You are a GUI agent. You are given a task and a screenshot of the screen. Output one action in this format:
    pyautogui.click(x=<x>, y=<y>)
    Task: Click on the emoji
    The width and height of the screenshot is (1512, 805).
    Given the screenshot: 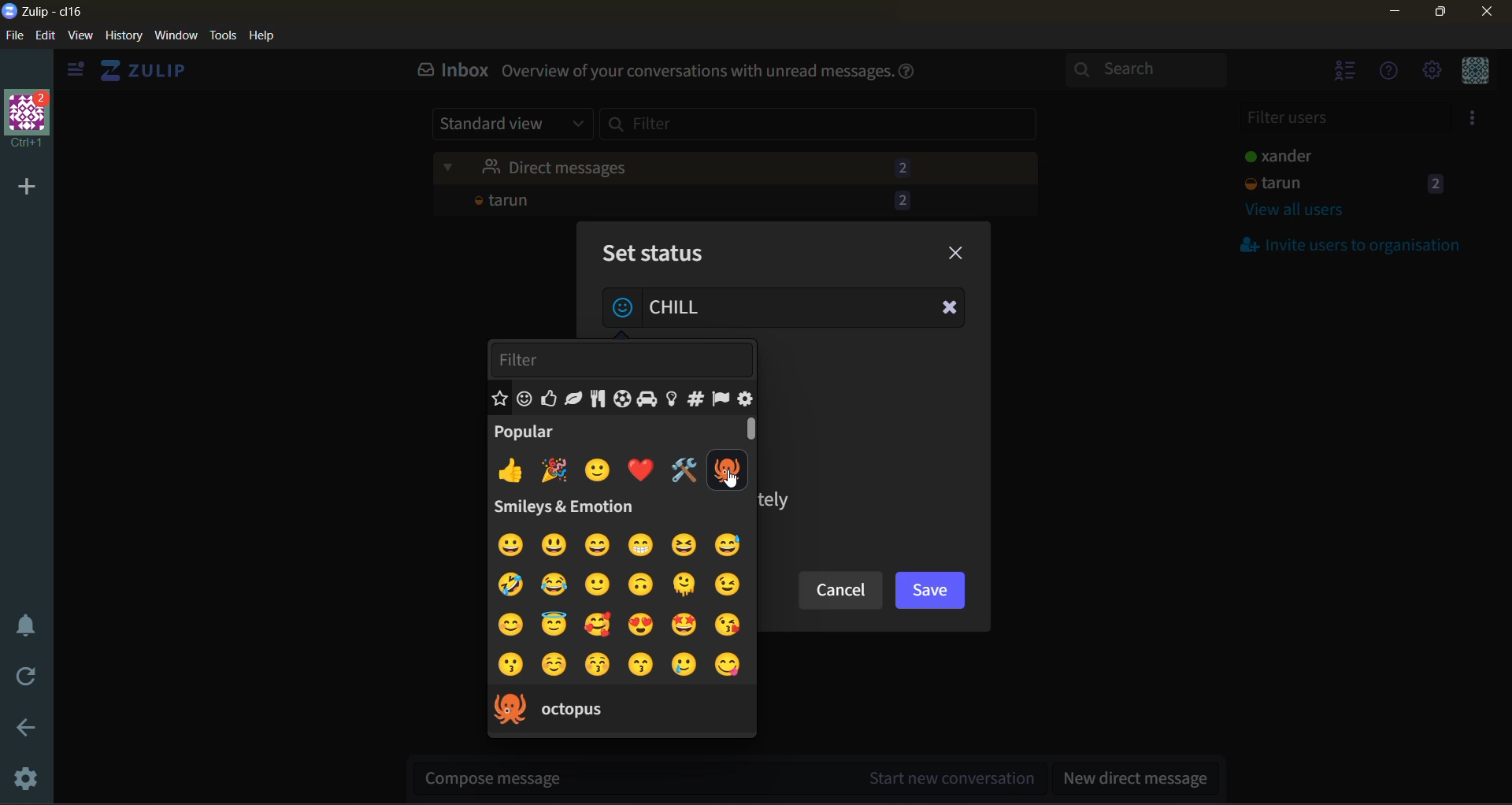 What is the action you would take?
    pyautogui.click(x=684, y=584)
    